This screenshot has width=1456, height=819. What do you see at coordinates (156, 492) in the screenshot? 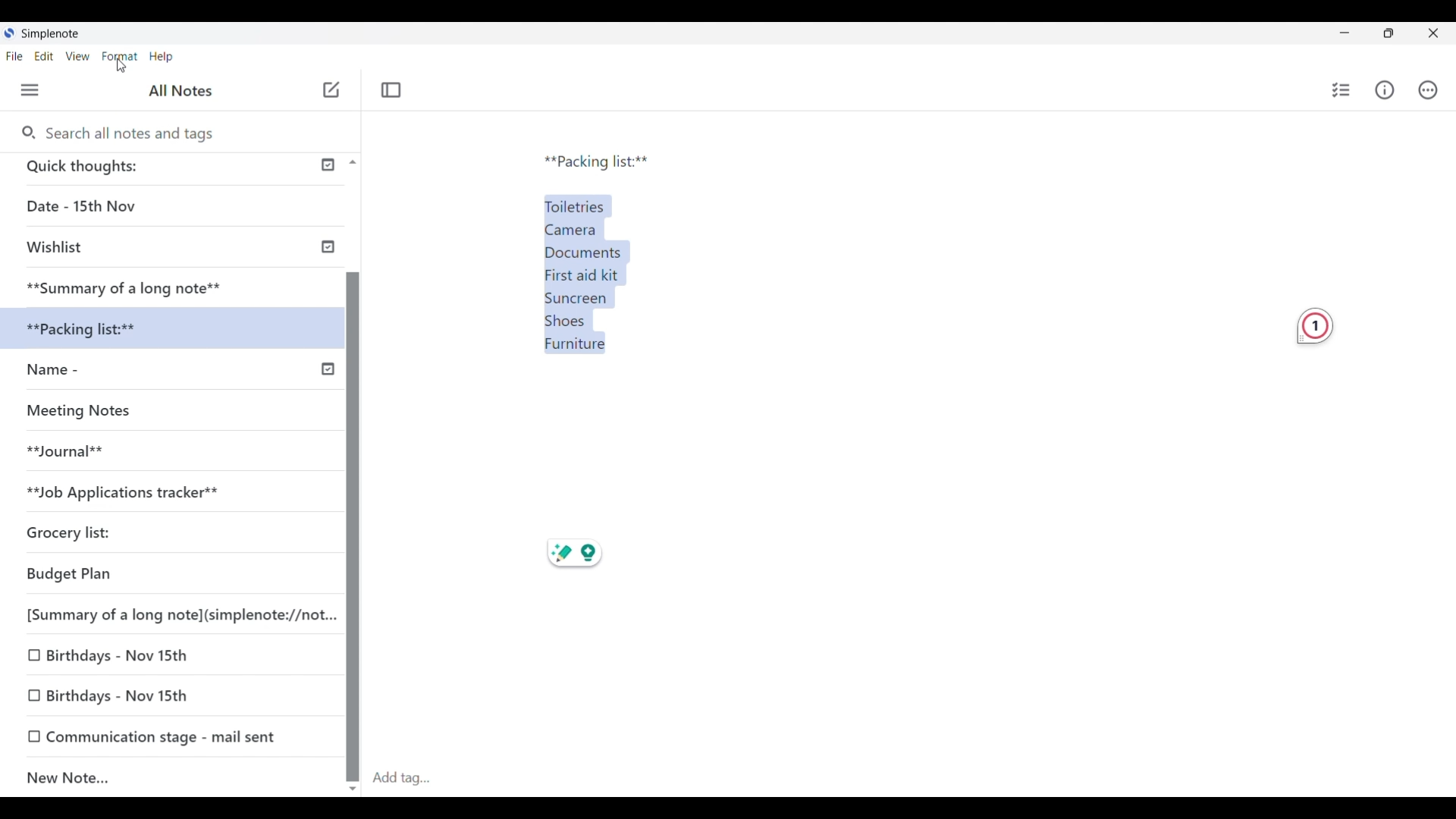
I see `**Job Applications tracker**` at bounding box center [156, 492].